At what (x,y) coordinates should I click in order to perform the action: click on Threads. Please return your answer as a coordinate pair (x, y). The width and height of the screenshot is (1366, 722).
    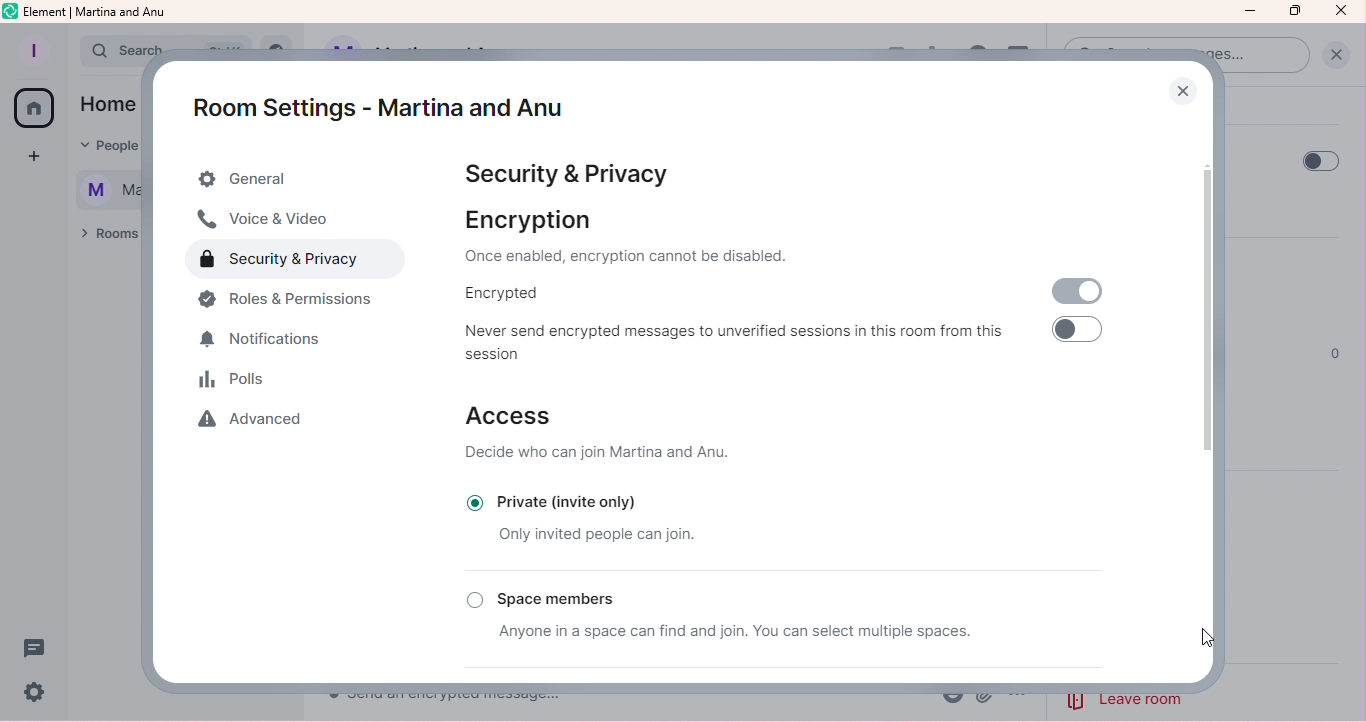
    Looking at the image, I should click on (37, 644).